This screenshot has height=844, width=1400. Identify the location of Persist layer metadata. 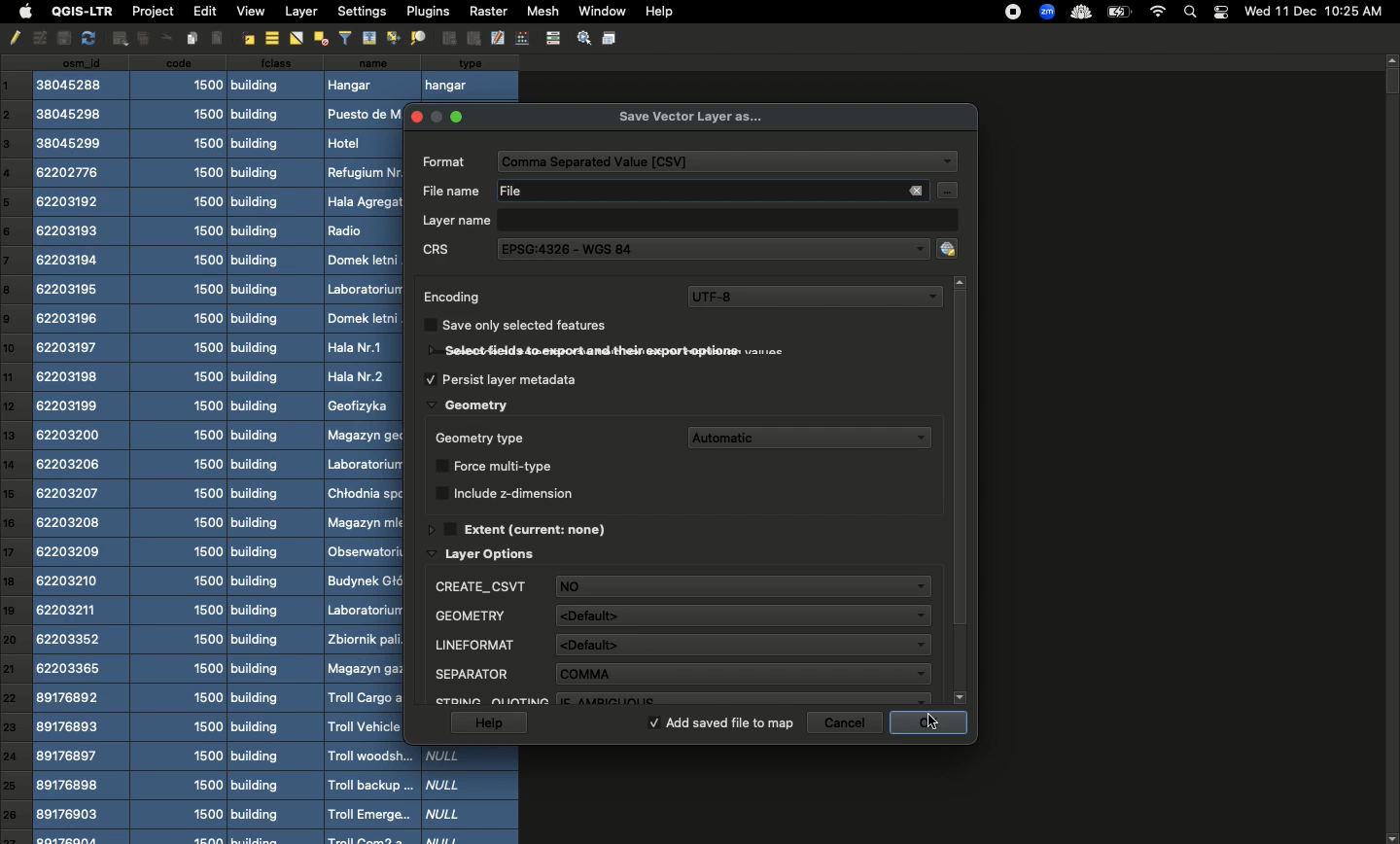
(515, 376).